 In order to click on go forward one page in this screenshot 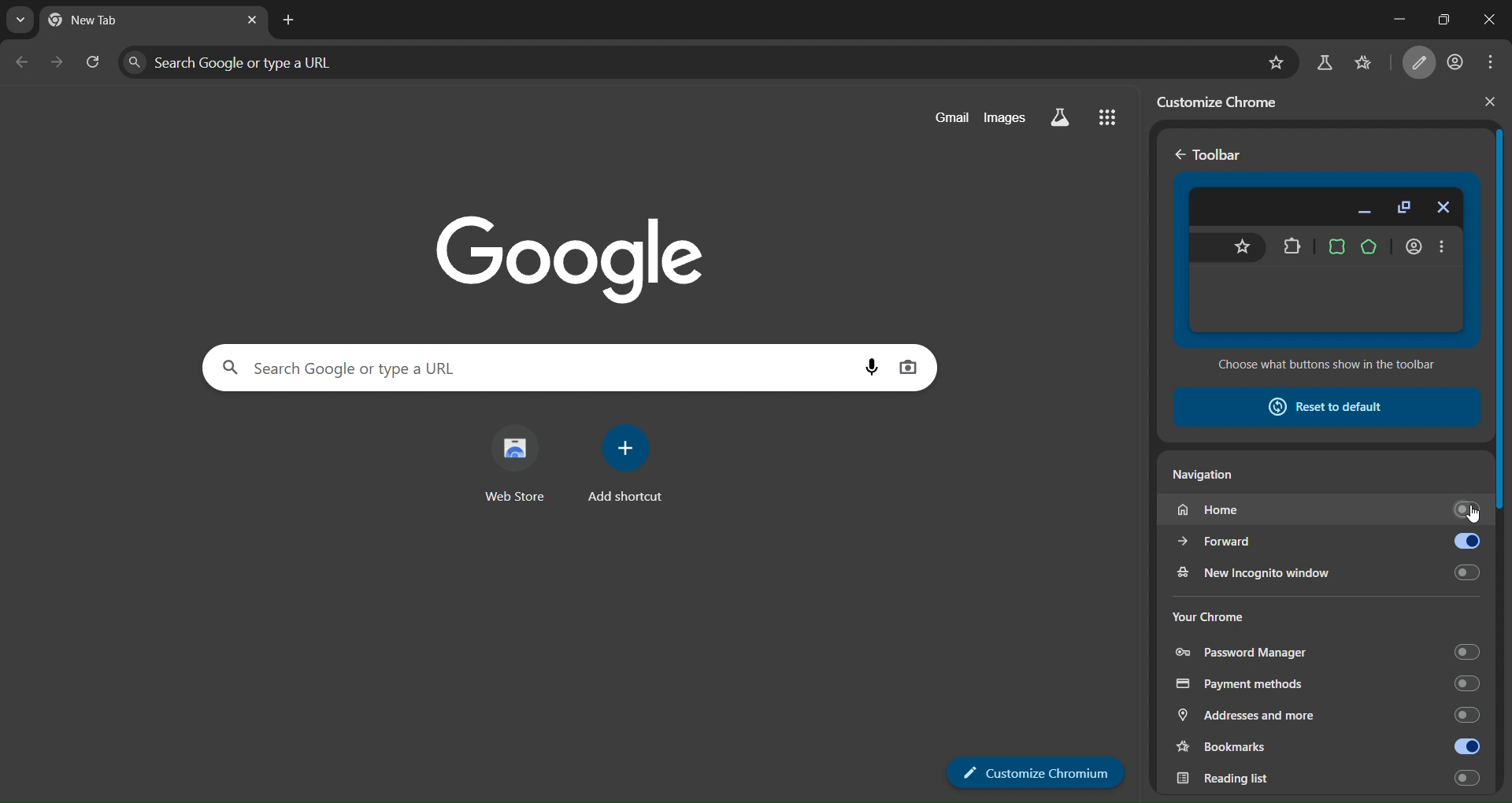, I will do `click(60, 66)`.